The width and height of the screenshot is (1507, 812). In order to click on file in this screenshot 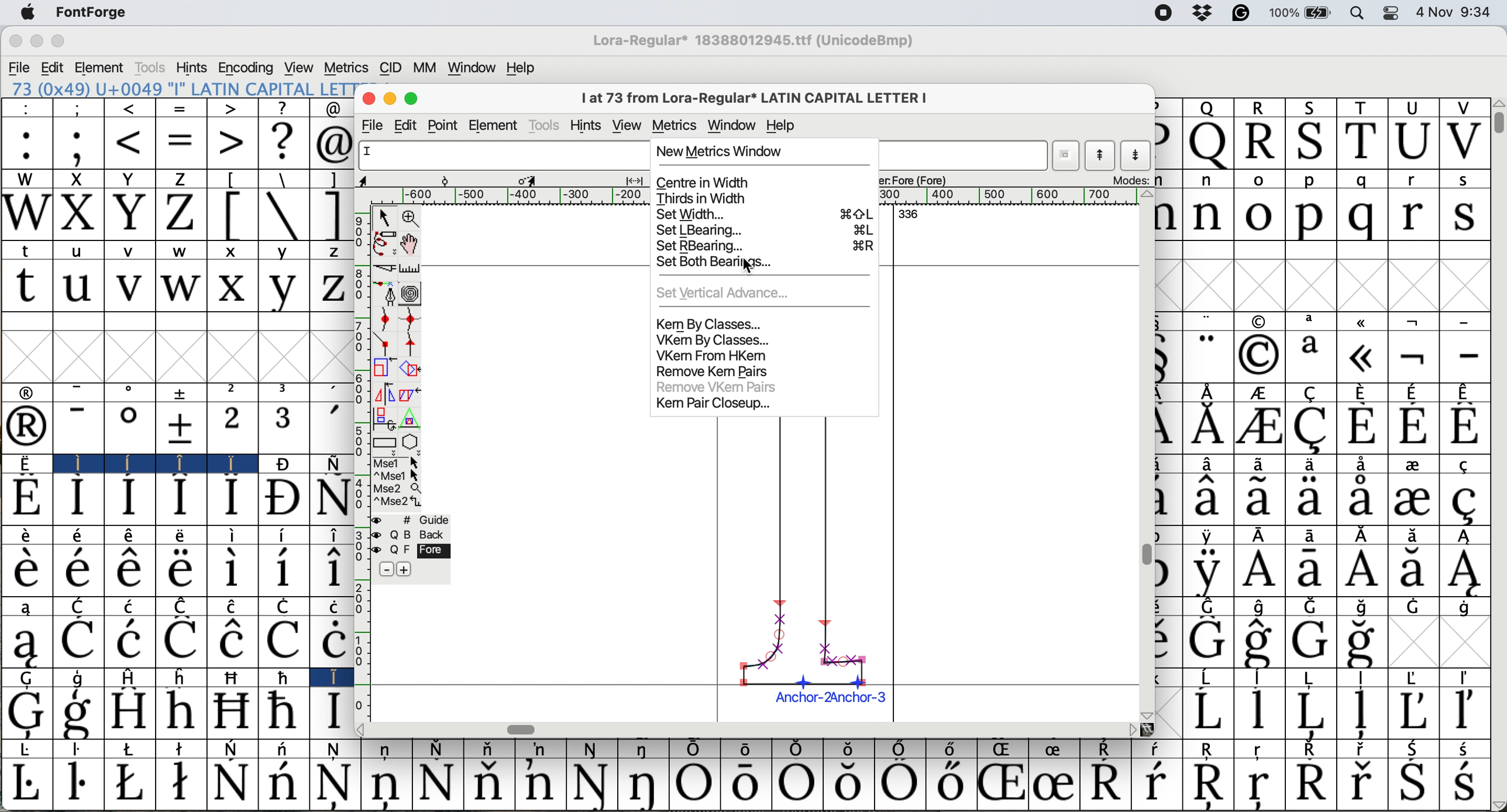, I will do `click(18, 68)`.